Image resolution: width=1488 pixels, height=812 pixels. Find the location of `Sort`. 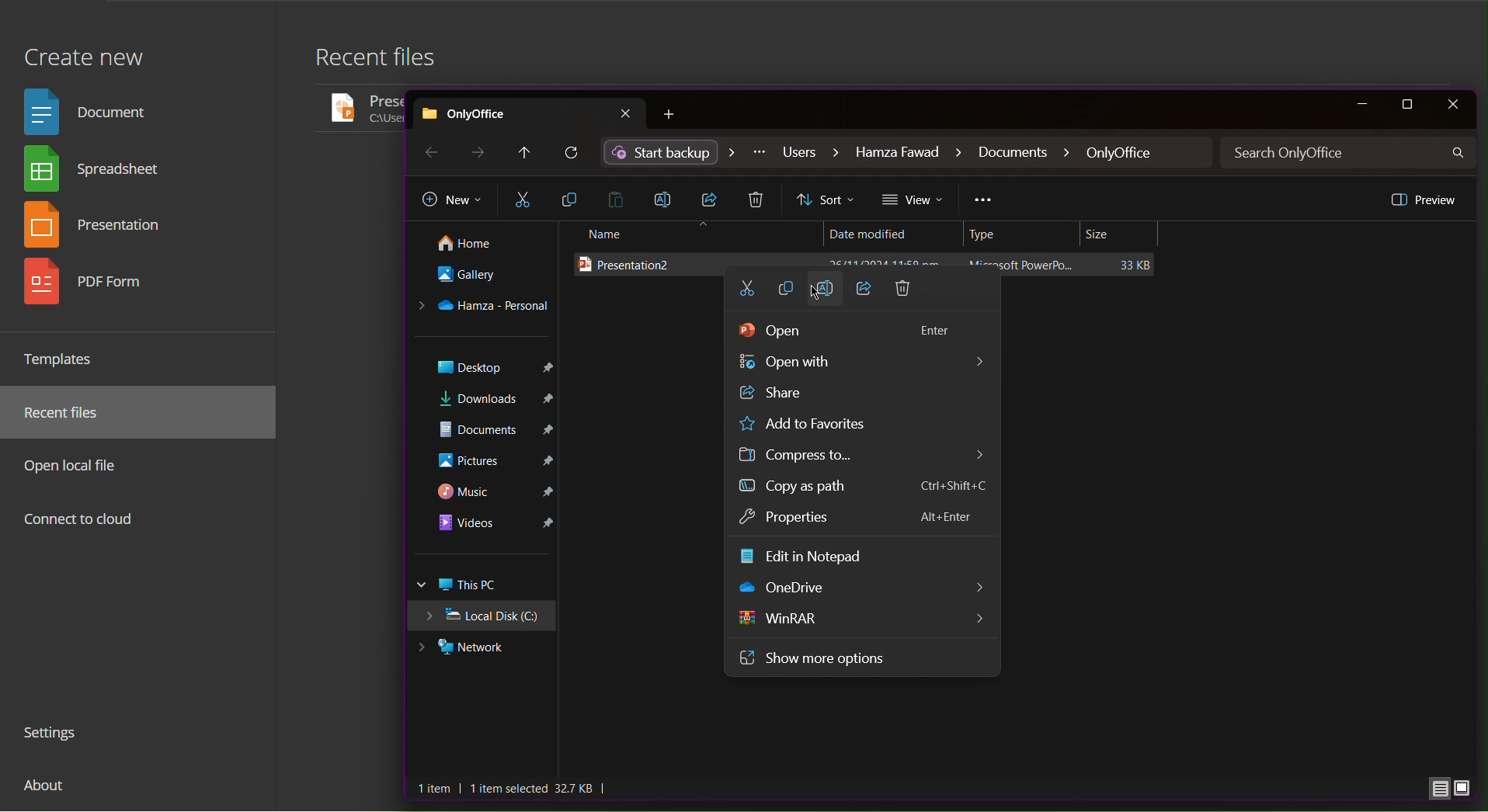

Sort is located at coordinates (827, 200).